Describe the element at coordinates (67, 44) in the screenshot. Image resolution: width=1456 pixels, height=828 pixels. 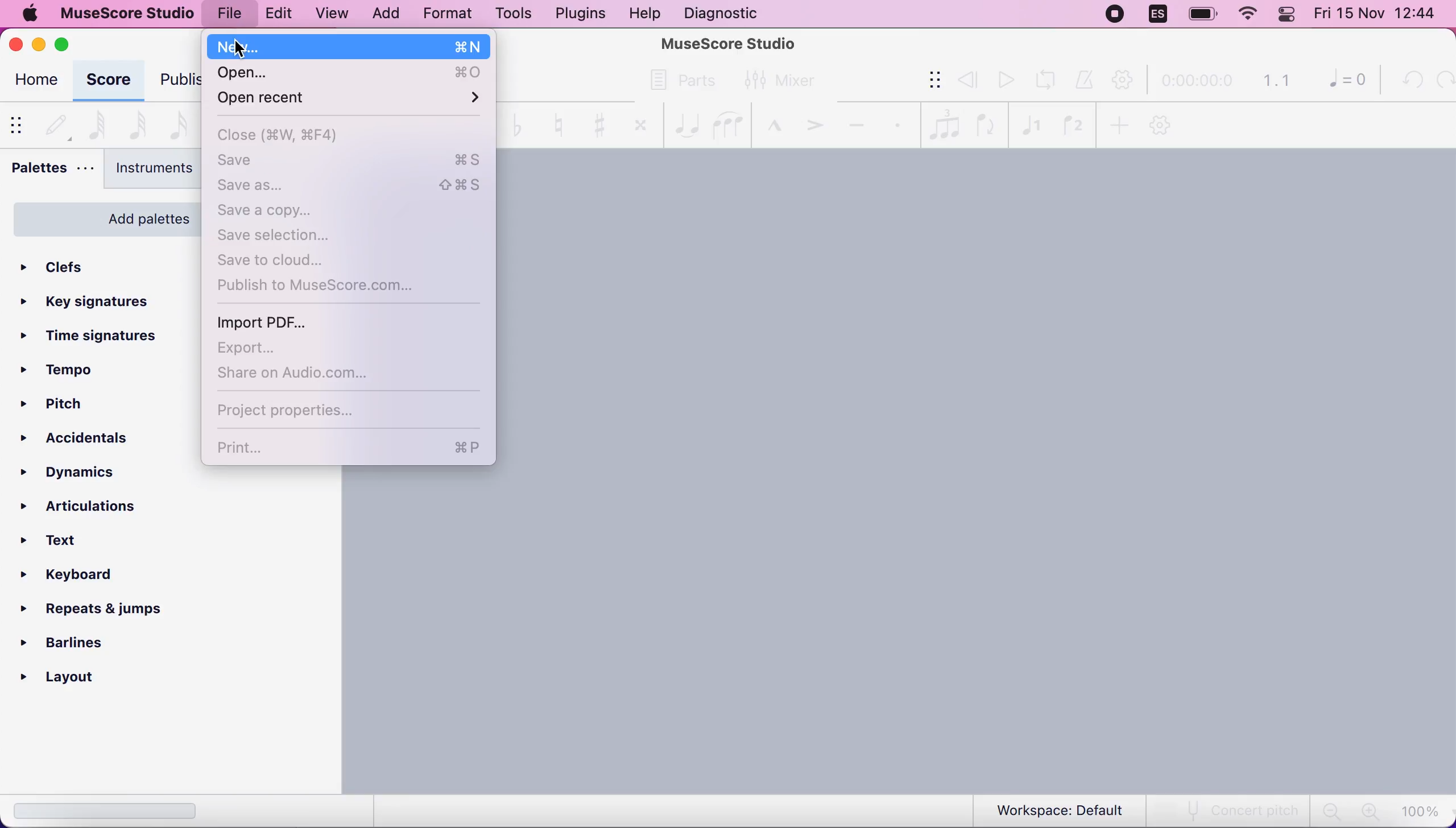
I see `maximize` at that location.